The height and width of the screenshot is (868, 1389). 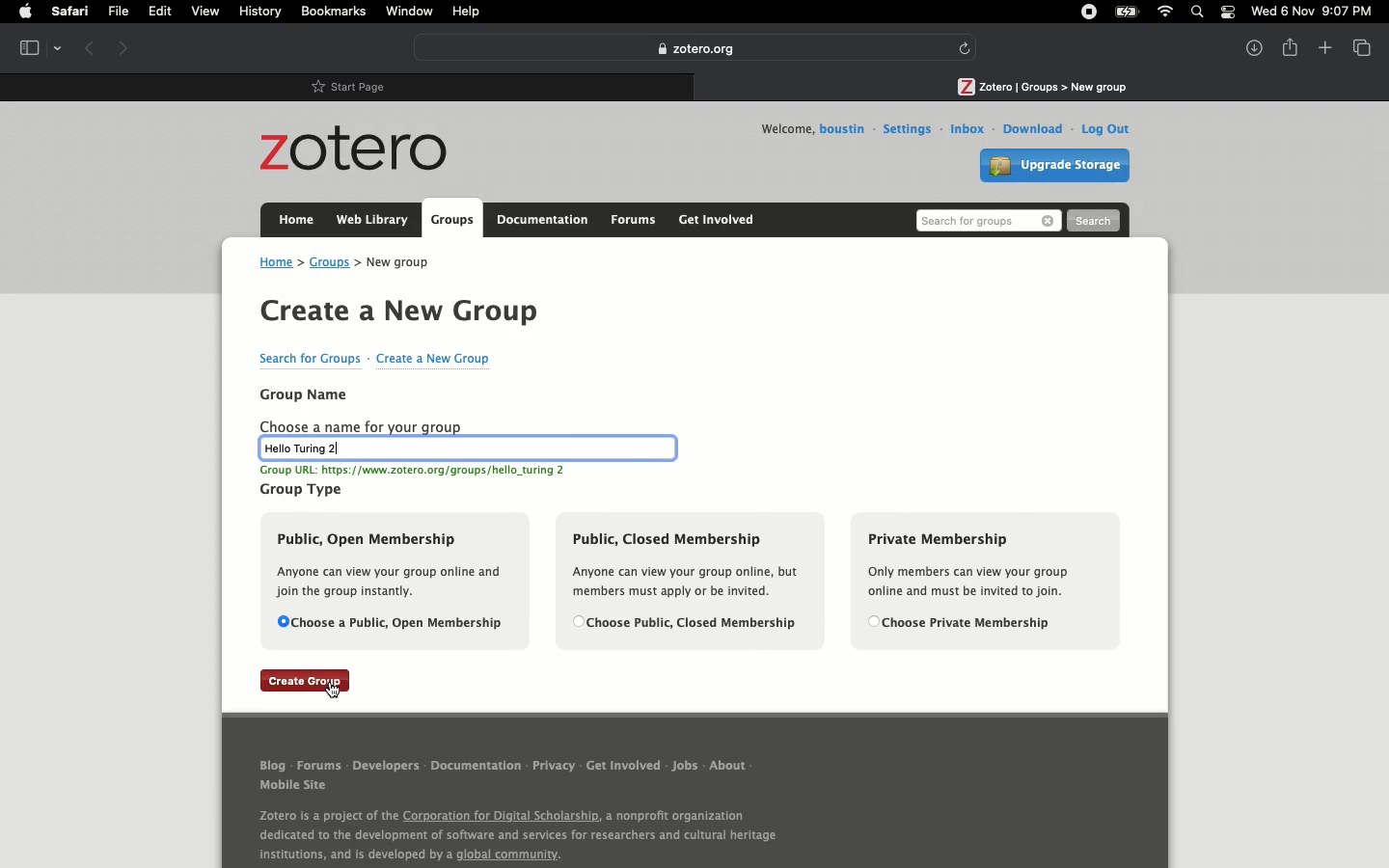 What do you see at coordinates (976, 580) in the screenshot?
I see `Private membership` at bounding box center [976, 580].